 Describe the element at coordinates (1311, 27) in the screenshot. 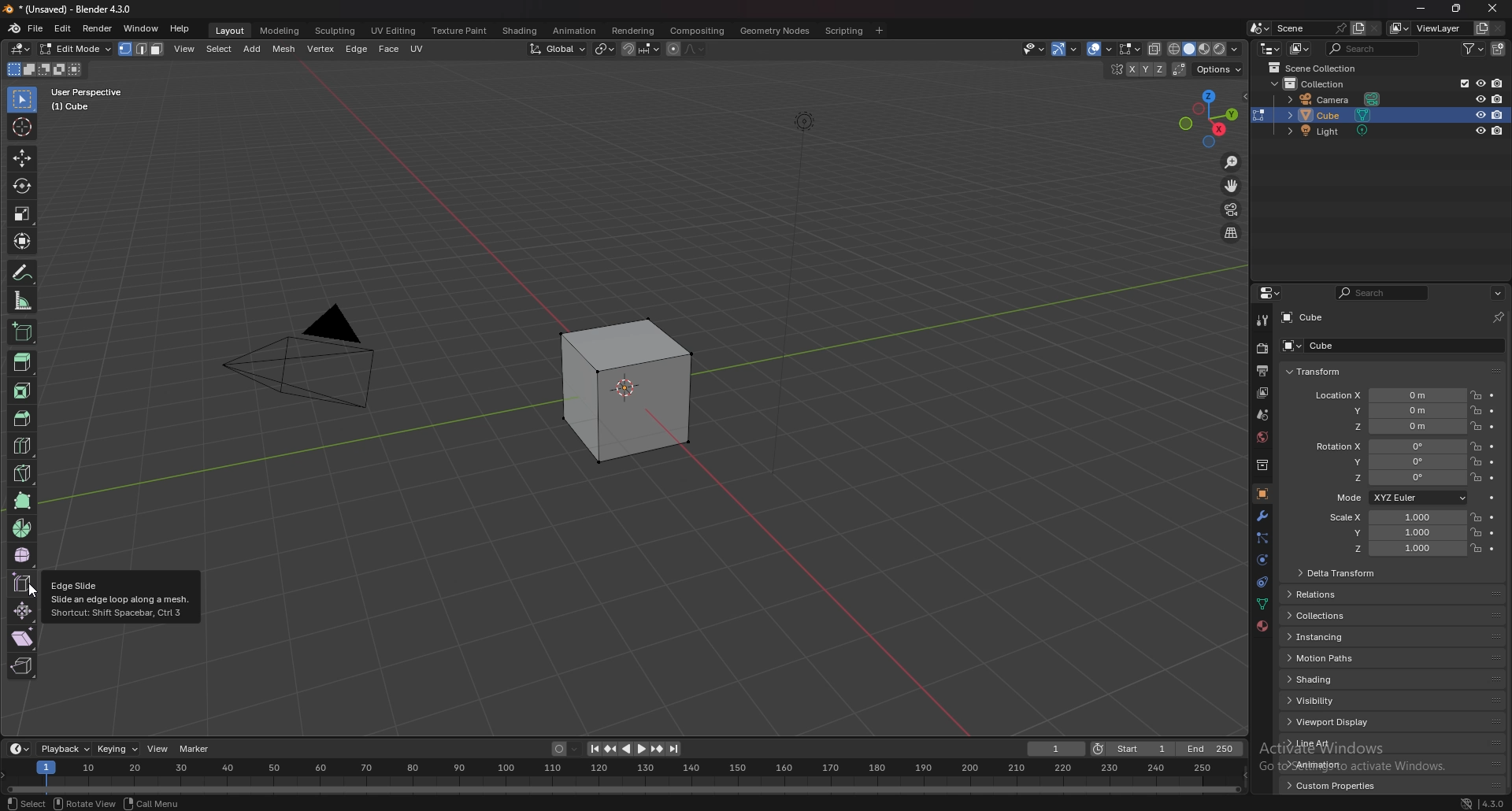

I see `scene` at that location.